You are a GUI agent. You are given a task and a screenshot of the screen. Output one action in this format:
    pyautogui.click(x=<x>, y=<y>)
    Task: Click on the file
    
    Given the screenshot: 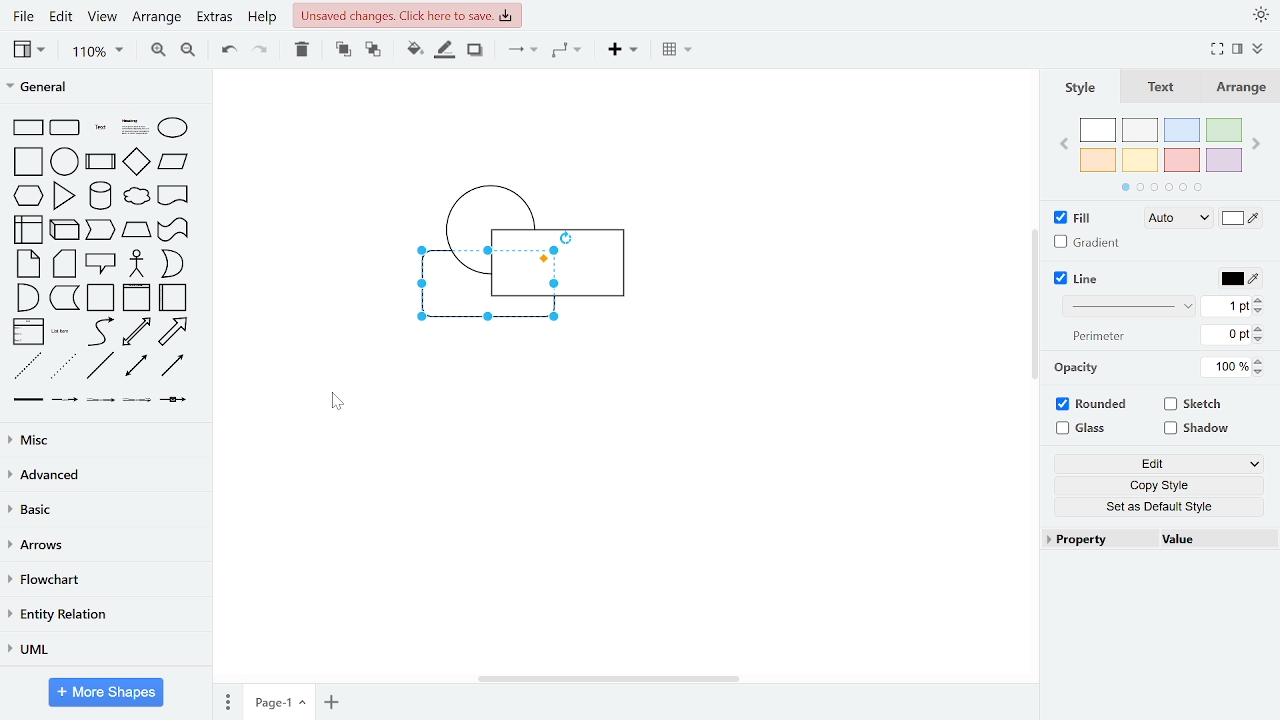 What is the action you would take?
    pyautogui.click(x=22, y=16)
    